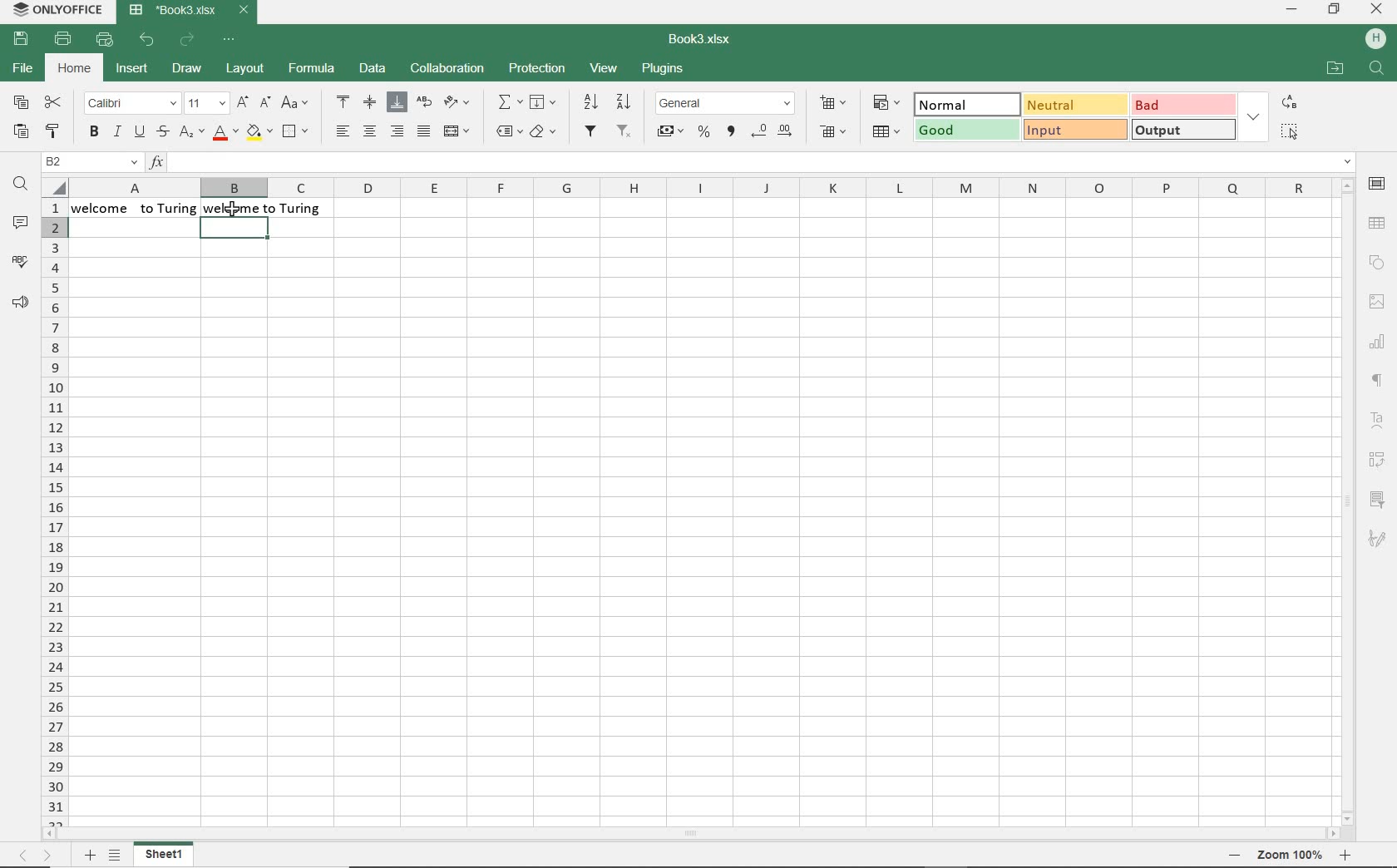  I want to click on trimmed text, so click(294, 219).